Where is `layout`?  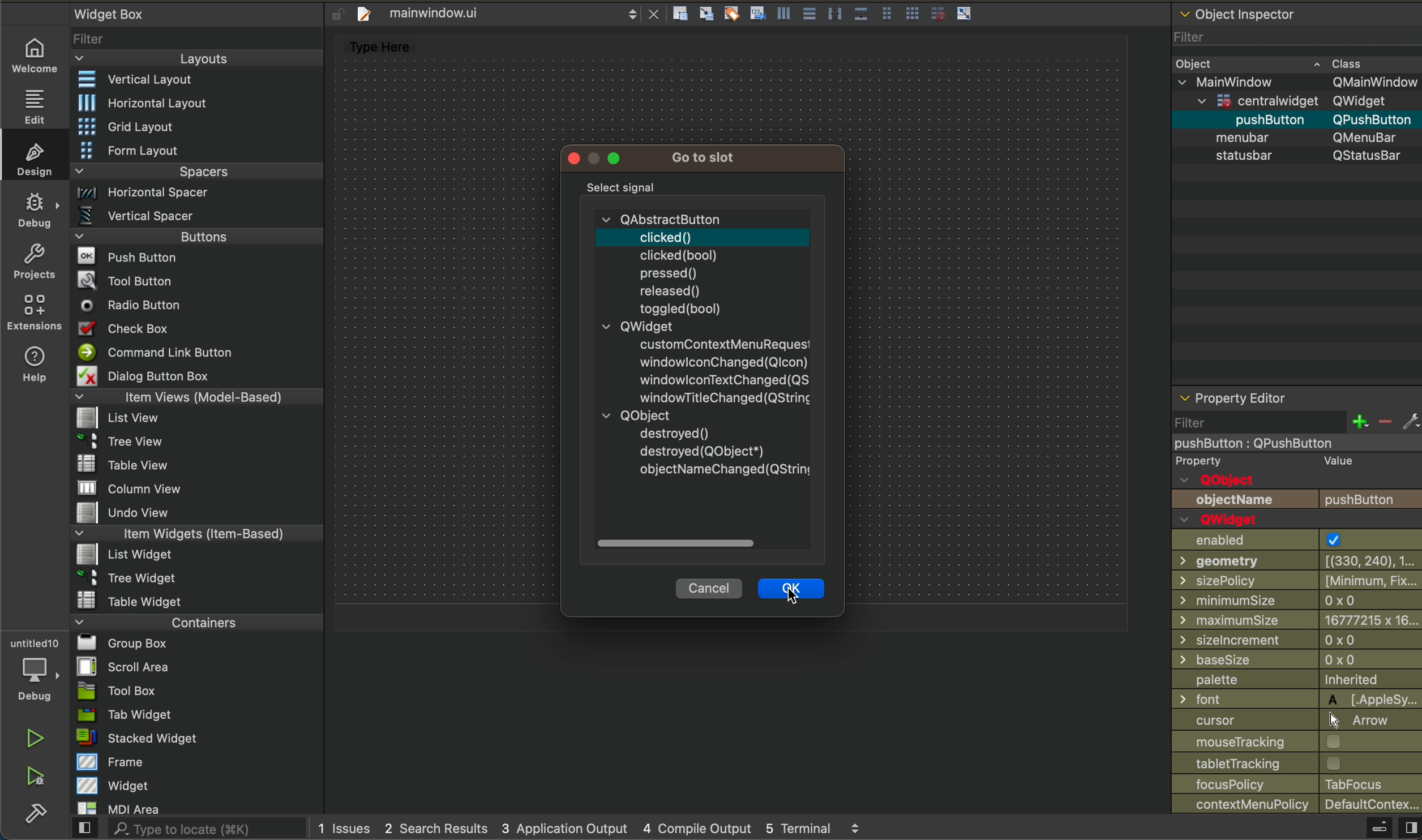
layout is located at coordinates (195, 58).